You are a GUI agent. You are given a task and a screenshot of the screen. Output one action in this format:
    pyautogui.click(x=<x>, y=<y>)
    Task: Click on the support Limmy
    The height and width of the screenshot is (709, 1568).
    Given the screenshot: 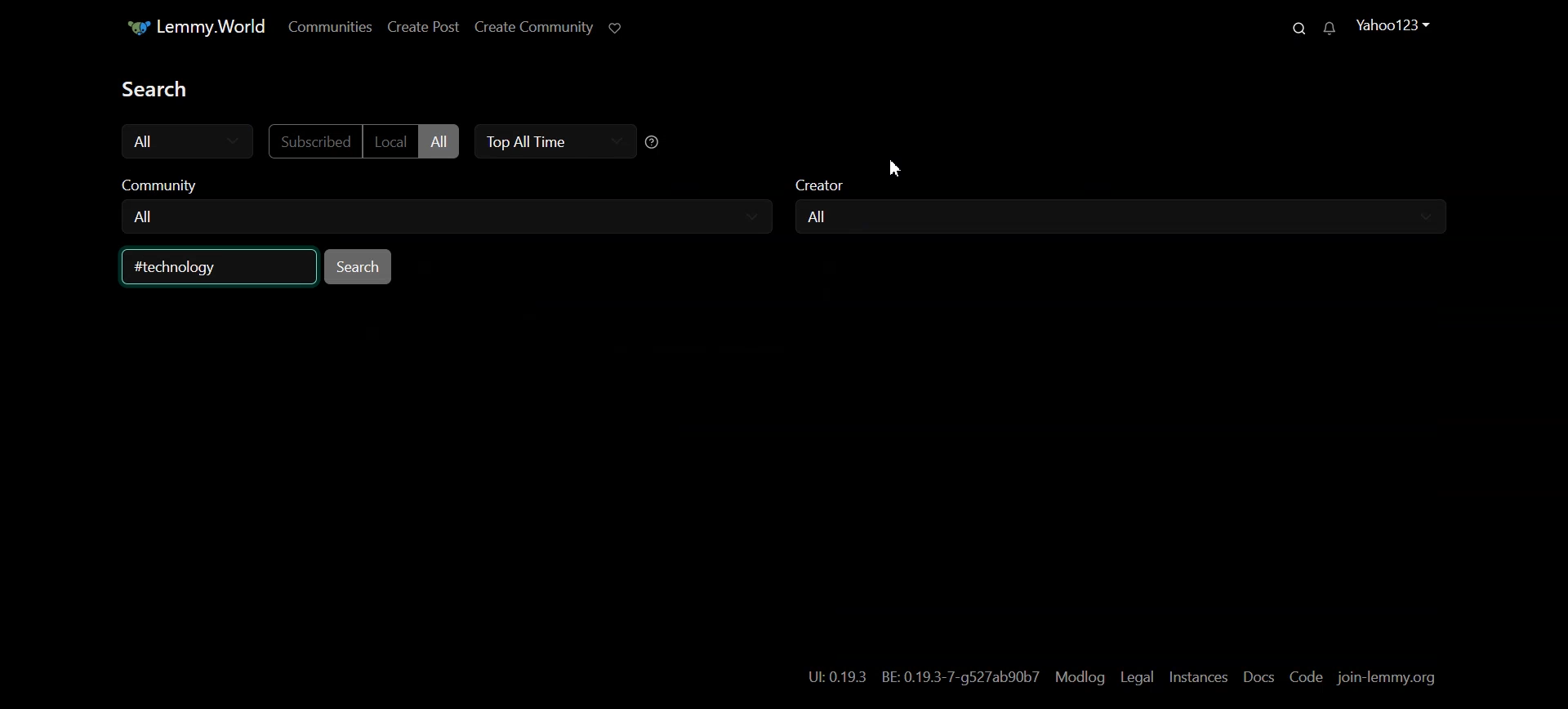 What is the action you would take?
    pyautogui.click(x=615, y=29)
    